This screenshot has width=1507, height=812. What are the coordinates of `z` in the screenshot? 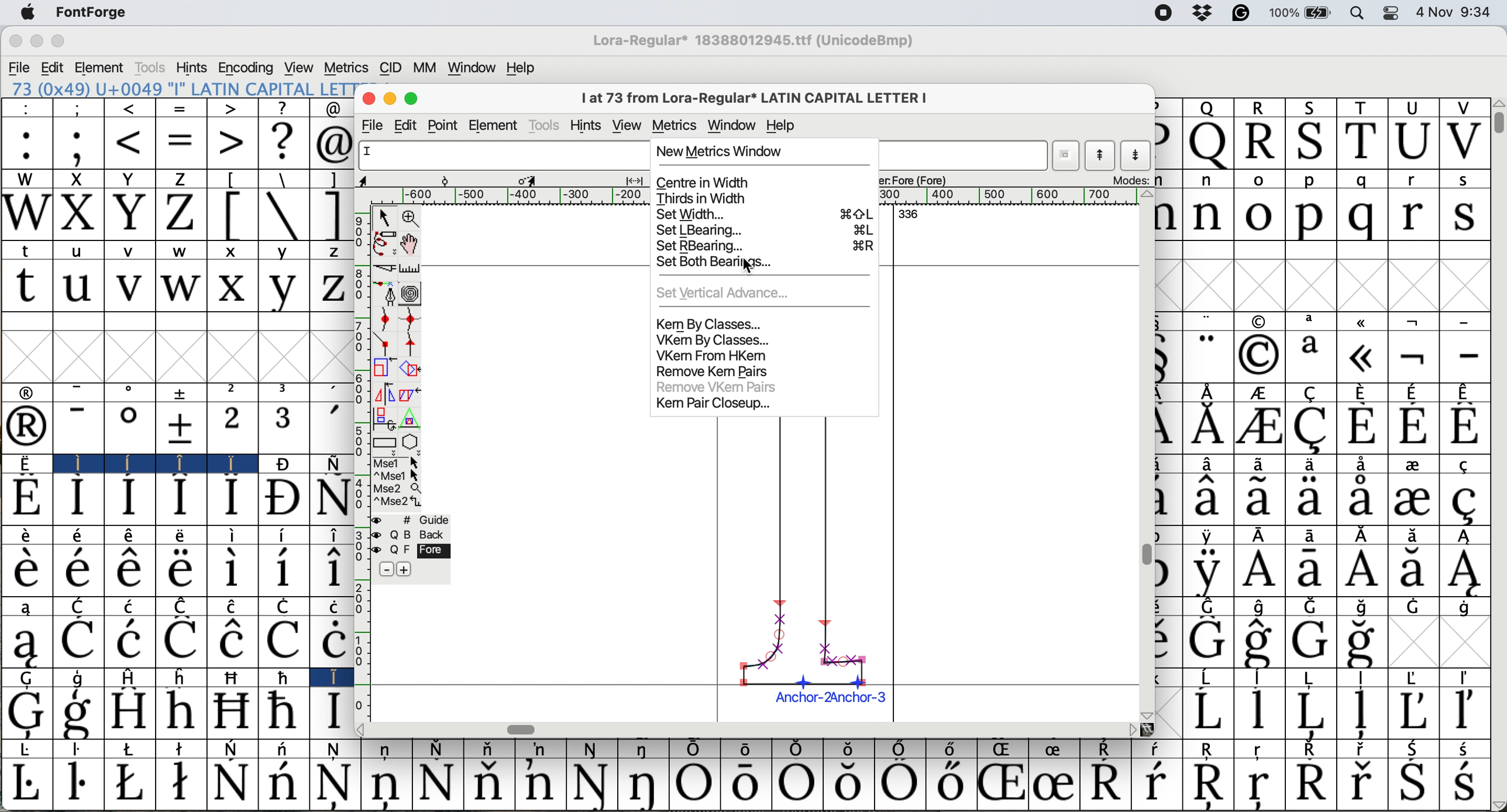 It's located at (329, 288).